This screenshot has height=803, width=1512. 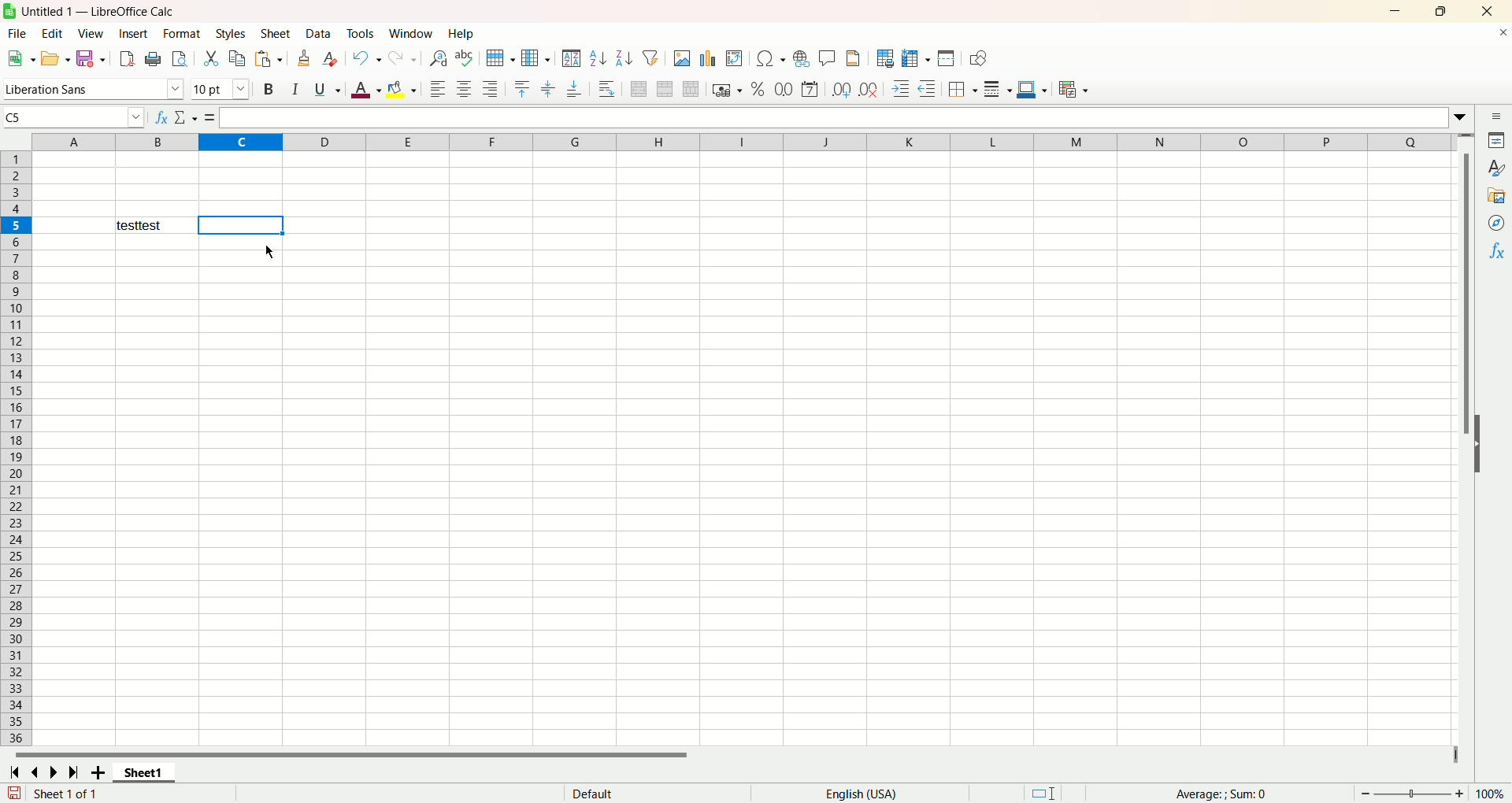 What do you see at coordinates (1482, 442) in the screenshot?
I see `hide` at bounding box center [1482, 442].